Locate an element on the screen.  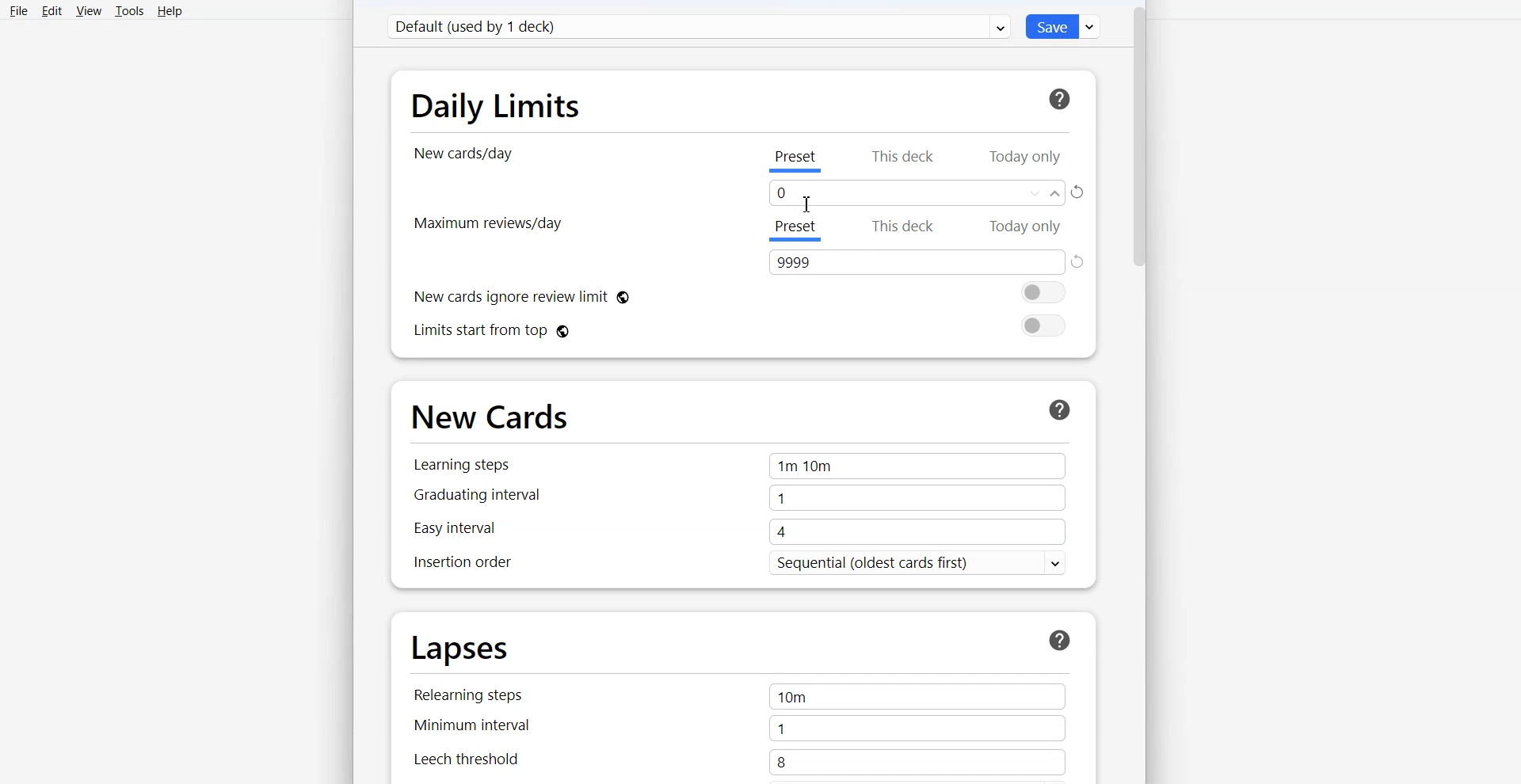
Default  is located at coordinates (698, 26).